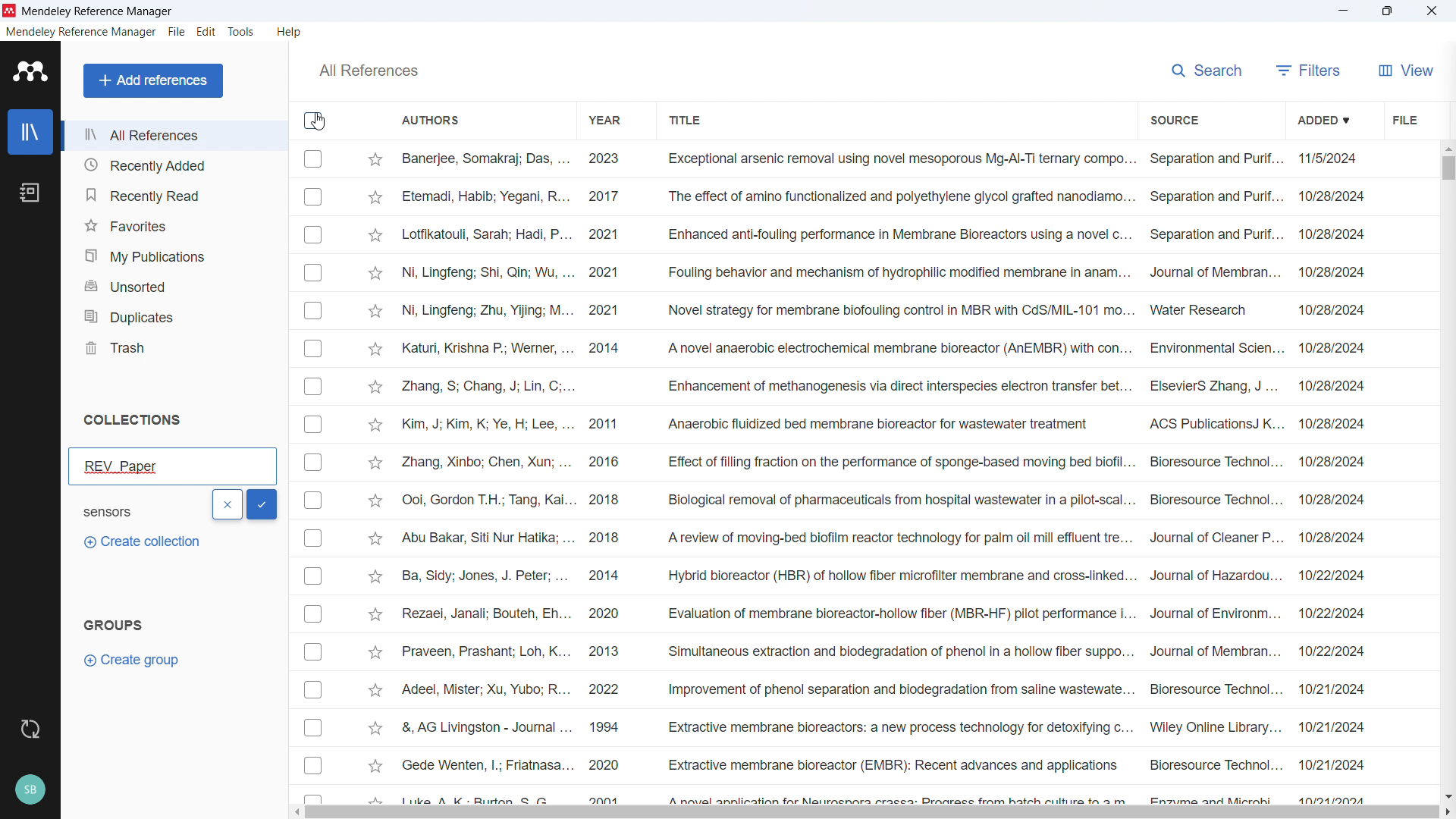  I want to click on edit, so click(206, 33).